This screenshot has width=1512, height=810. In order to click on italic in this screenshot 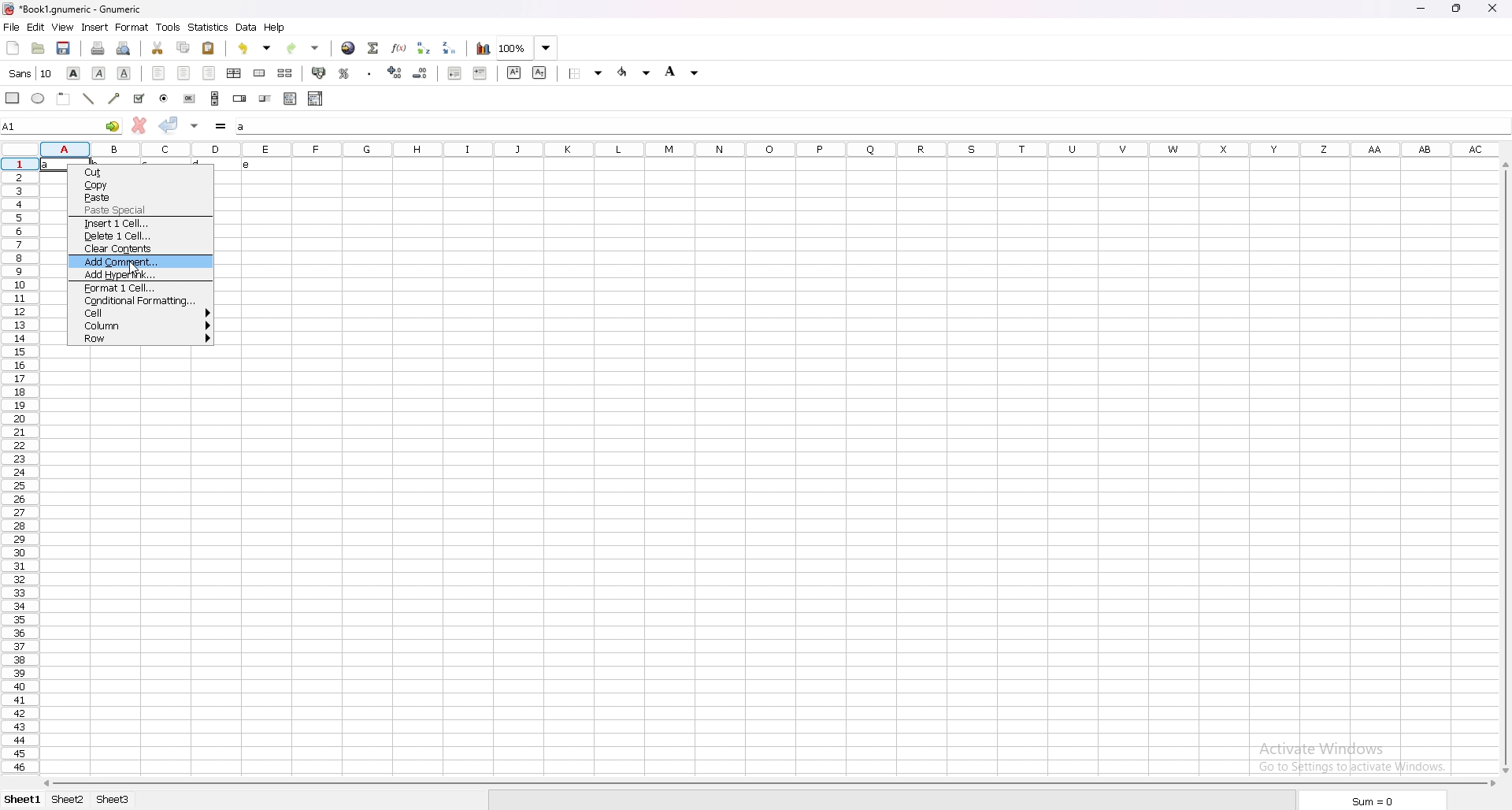, I will do `click(98, 74)`.